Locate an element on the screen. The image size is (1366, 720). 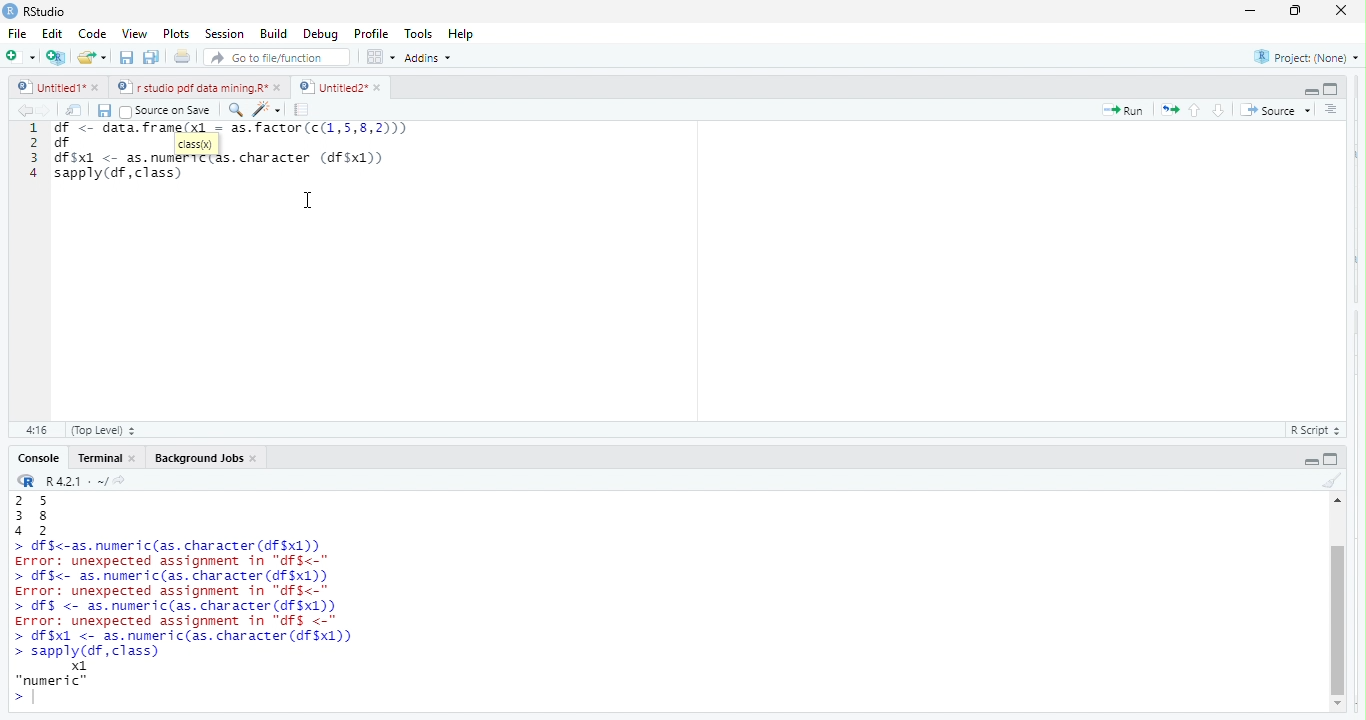
vertical scroll bar is located at coordinates (1340, 601).